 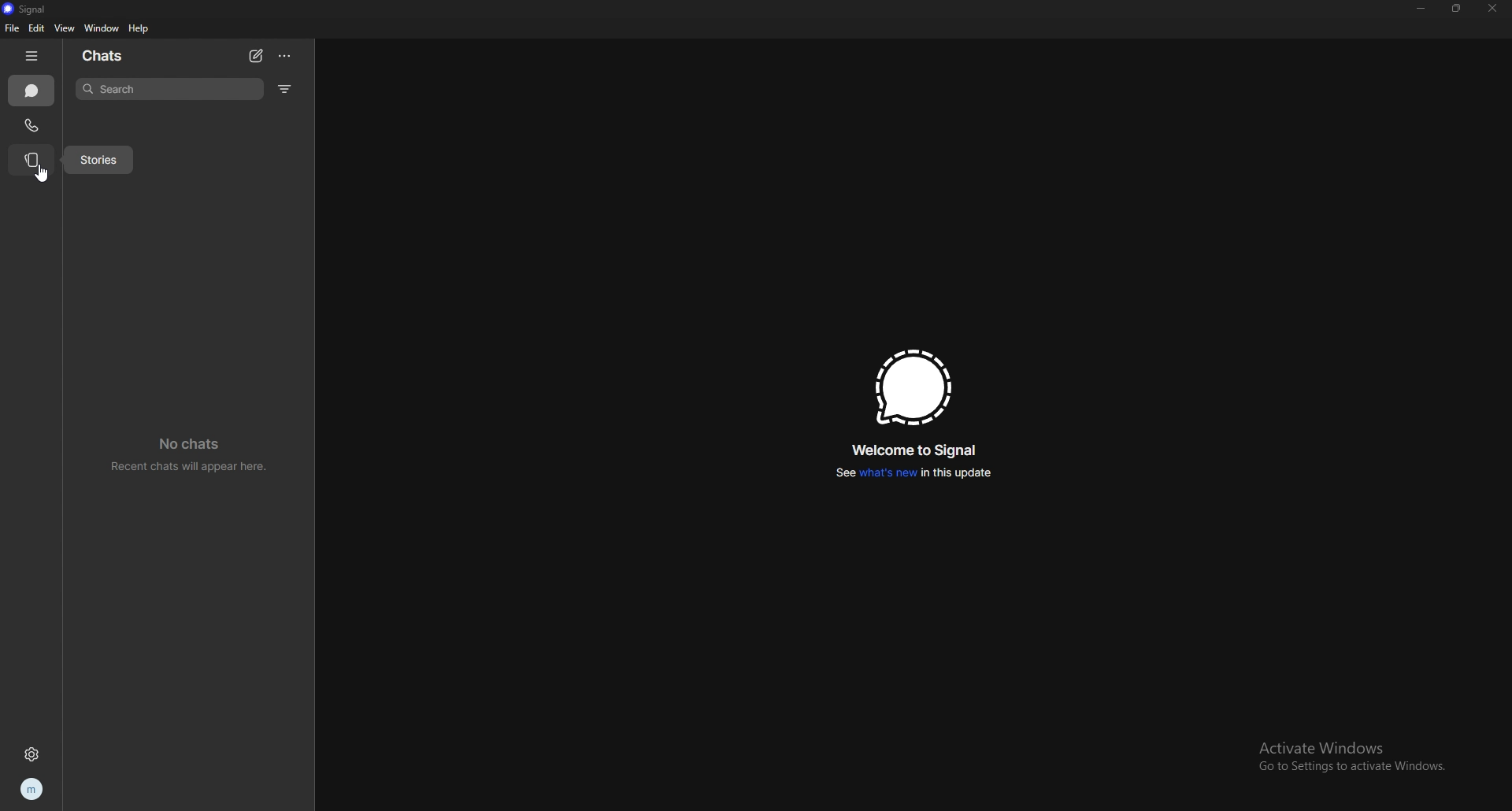 What do you see at coordinates (910, 388) in the screenshot?
I see `signal logo` at bounding box center [910, 388].